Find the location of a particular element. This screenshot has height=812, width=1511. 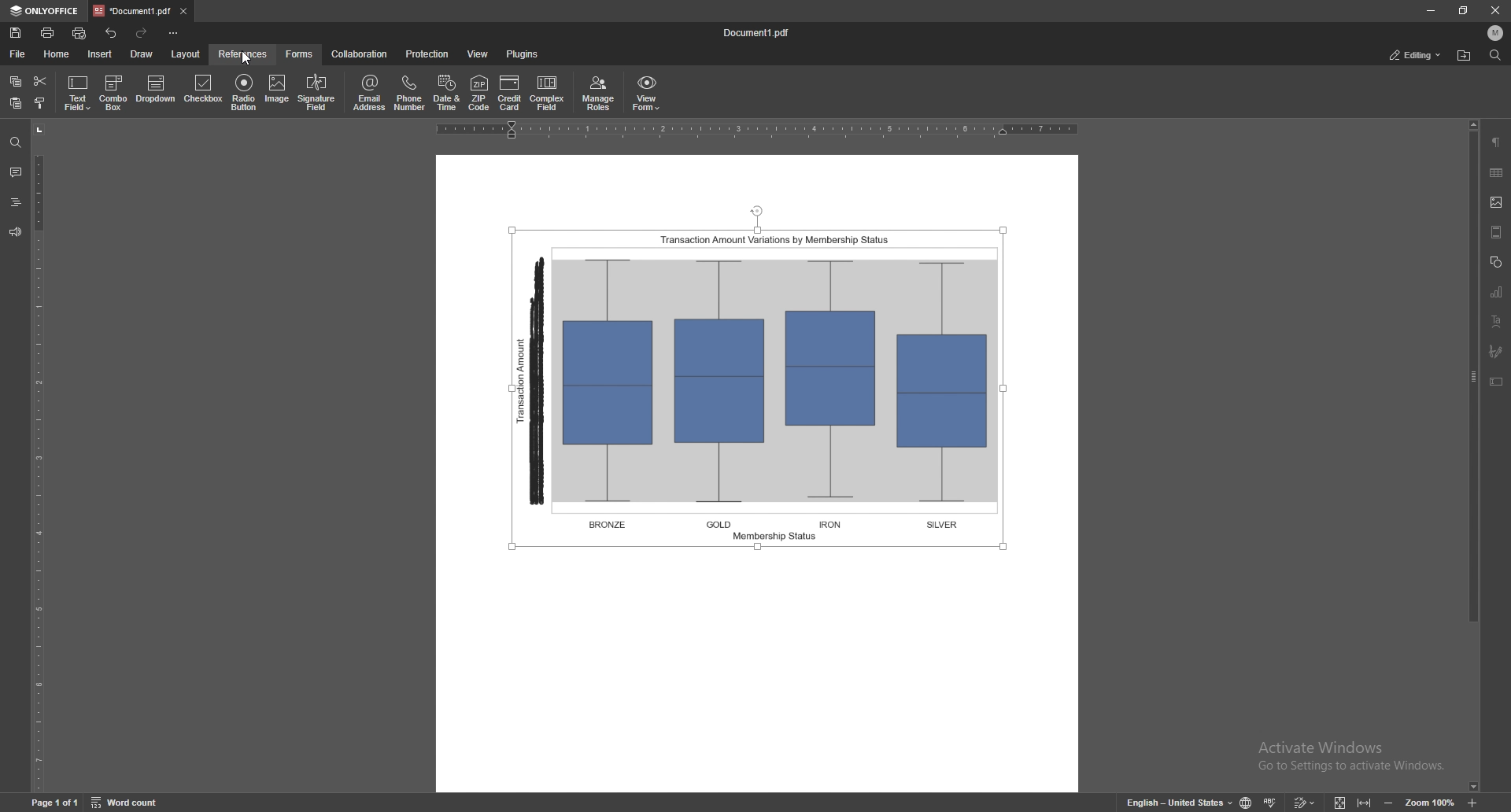

zoom out is located at coordinates (1389, 801).